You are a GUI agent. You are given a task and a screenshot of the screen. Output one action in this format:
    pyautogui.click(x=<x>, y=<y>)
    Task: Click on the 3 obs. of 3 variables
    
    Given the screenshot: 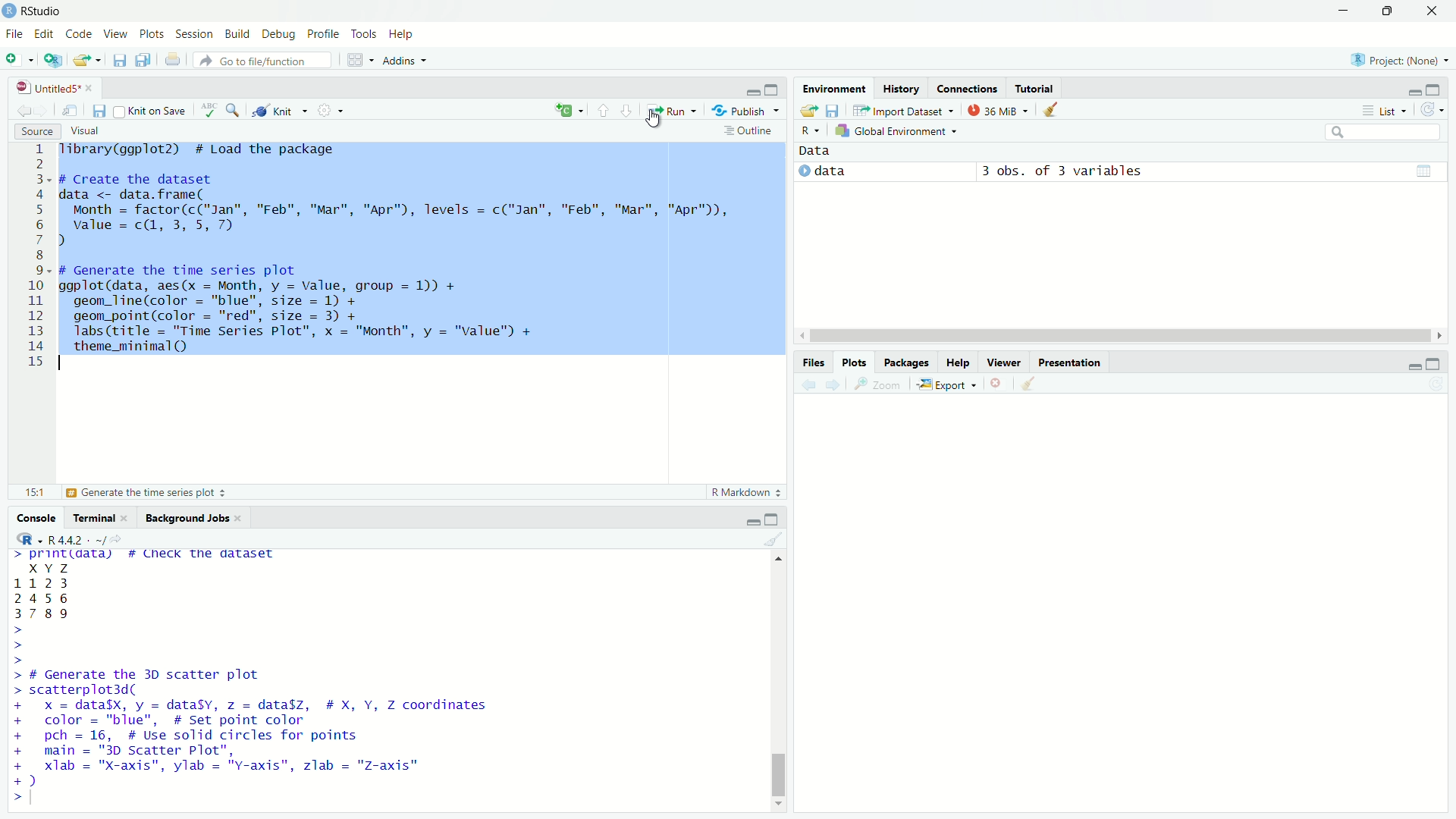 What is the action you would take?
    pyautogui.click(x=1072, y=171)
    